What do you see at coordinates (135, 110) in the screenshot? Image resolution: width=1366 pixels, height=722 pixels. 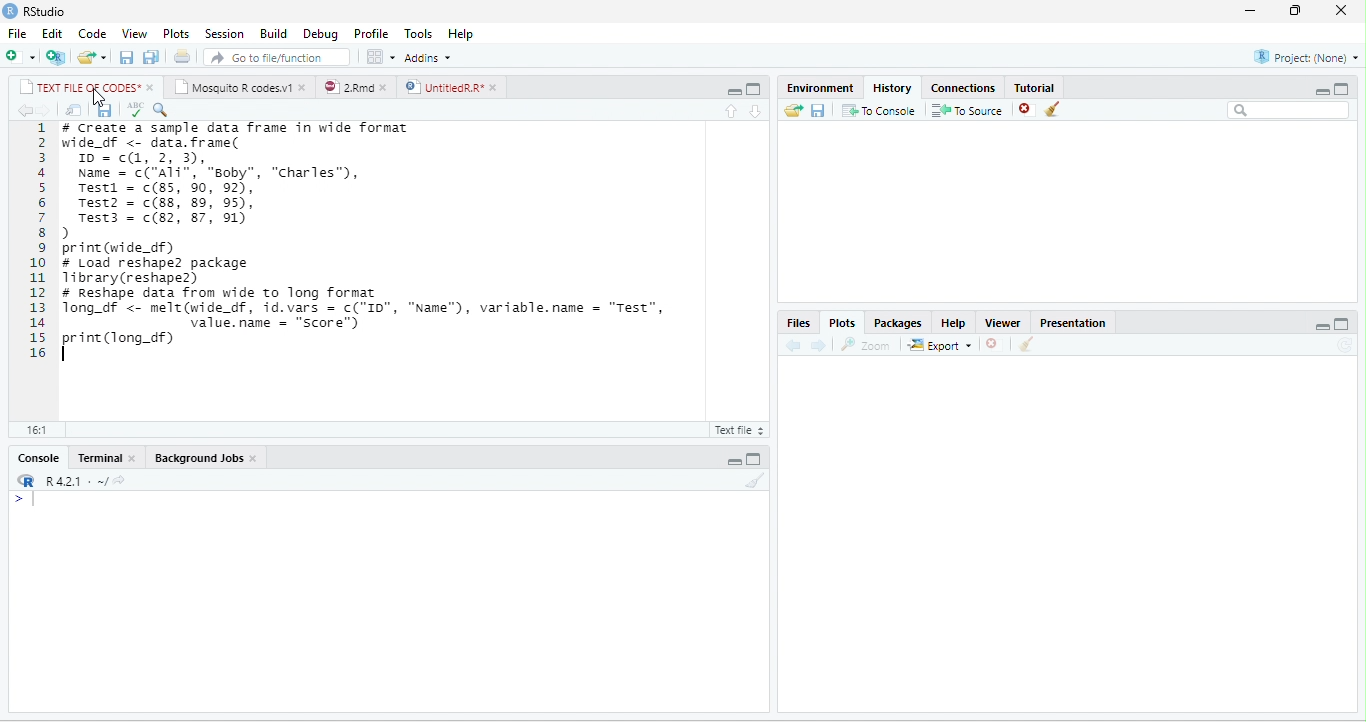 I see `ABC` at bounding box center [135, 110].